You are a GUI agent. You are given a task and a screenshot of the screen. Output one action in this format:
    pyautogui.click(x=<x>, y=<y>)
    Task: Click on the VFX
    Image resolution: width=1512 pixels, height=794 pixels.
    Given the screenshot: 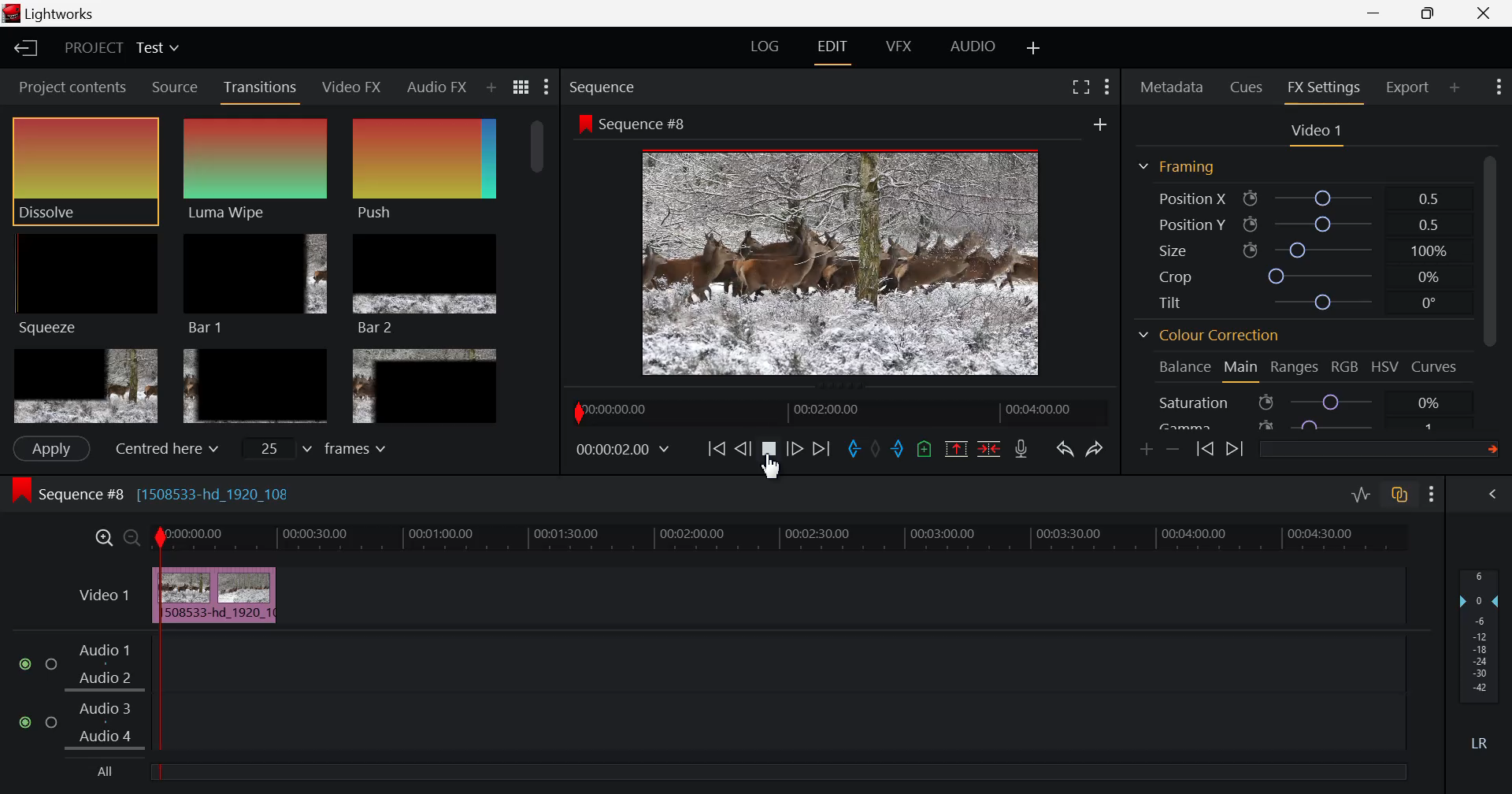 What is the action you would take?
    pyautogui.click(x=899, y=46)
    